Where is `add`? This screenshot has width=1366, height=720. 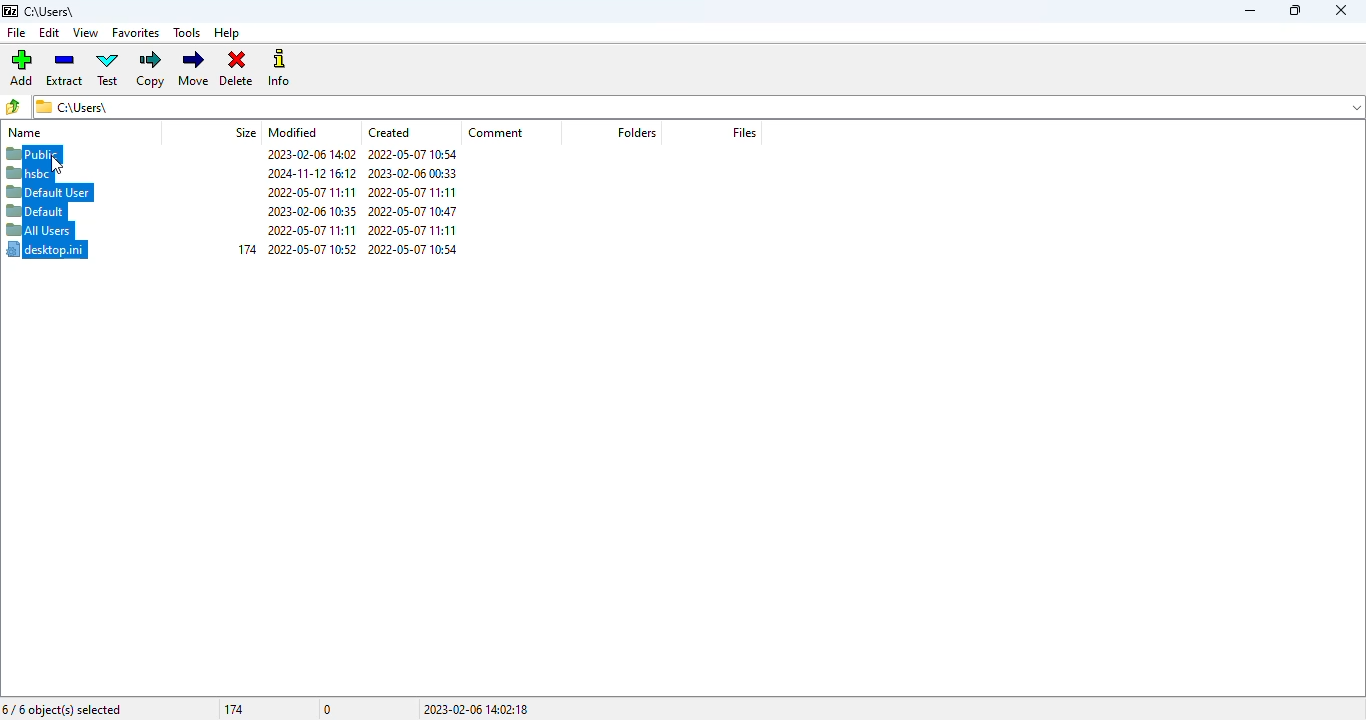 add is located at coordinates (21, 67).